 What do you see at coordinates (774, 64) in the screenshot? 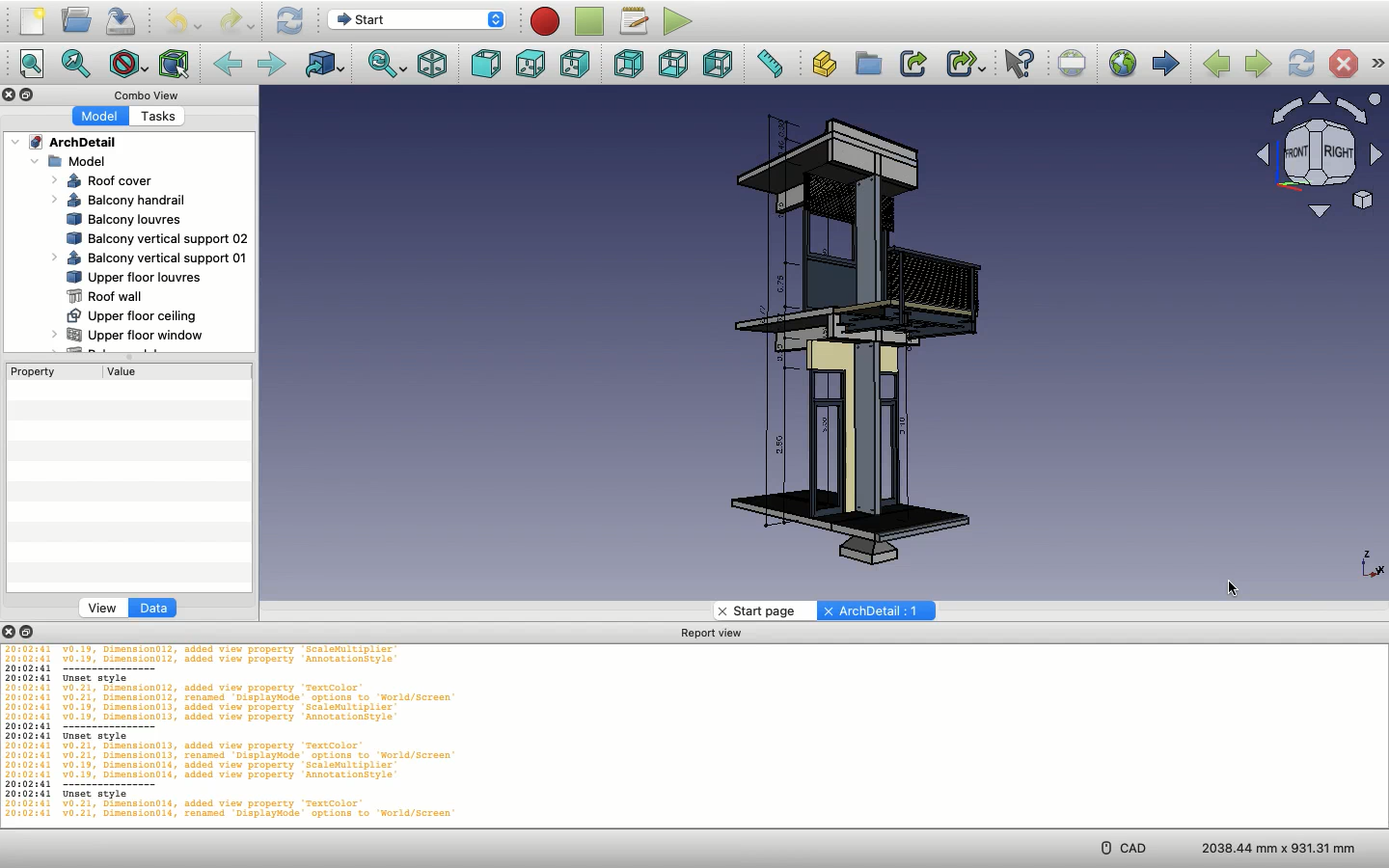
I see `Measure distance` at bounding box center [774, 64].